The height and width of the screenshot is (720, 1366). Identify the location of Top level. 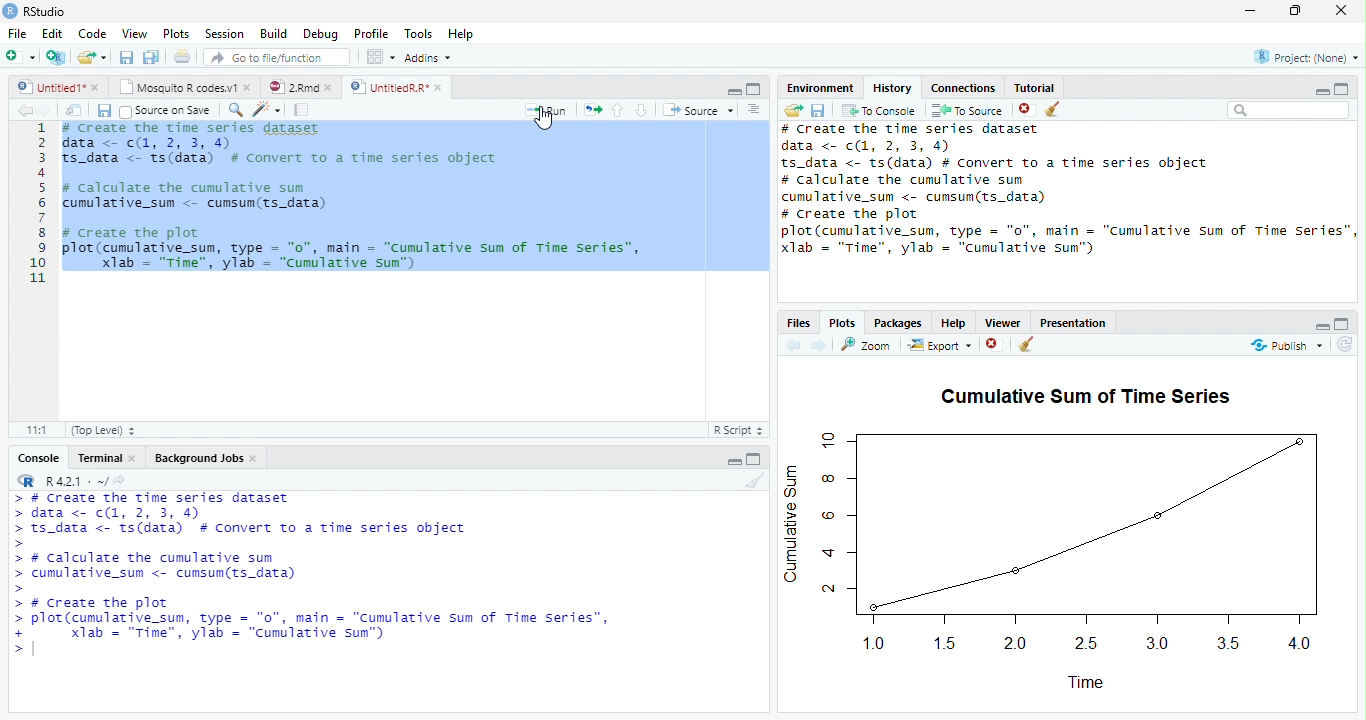
(104, 431).